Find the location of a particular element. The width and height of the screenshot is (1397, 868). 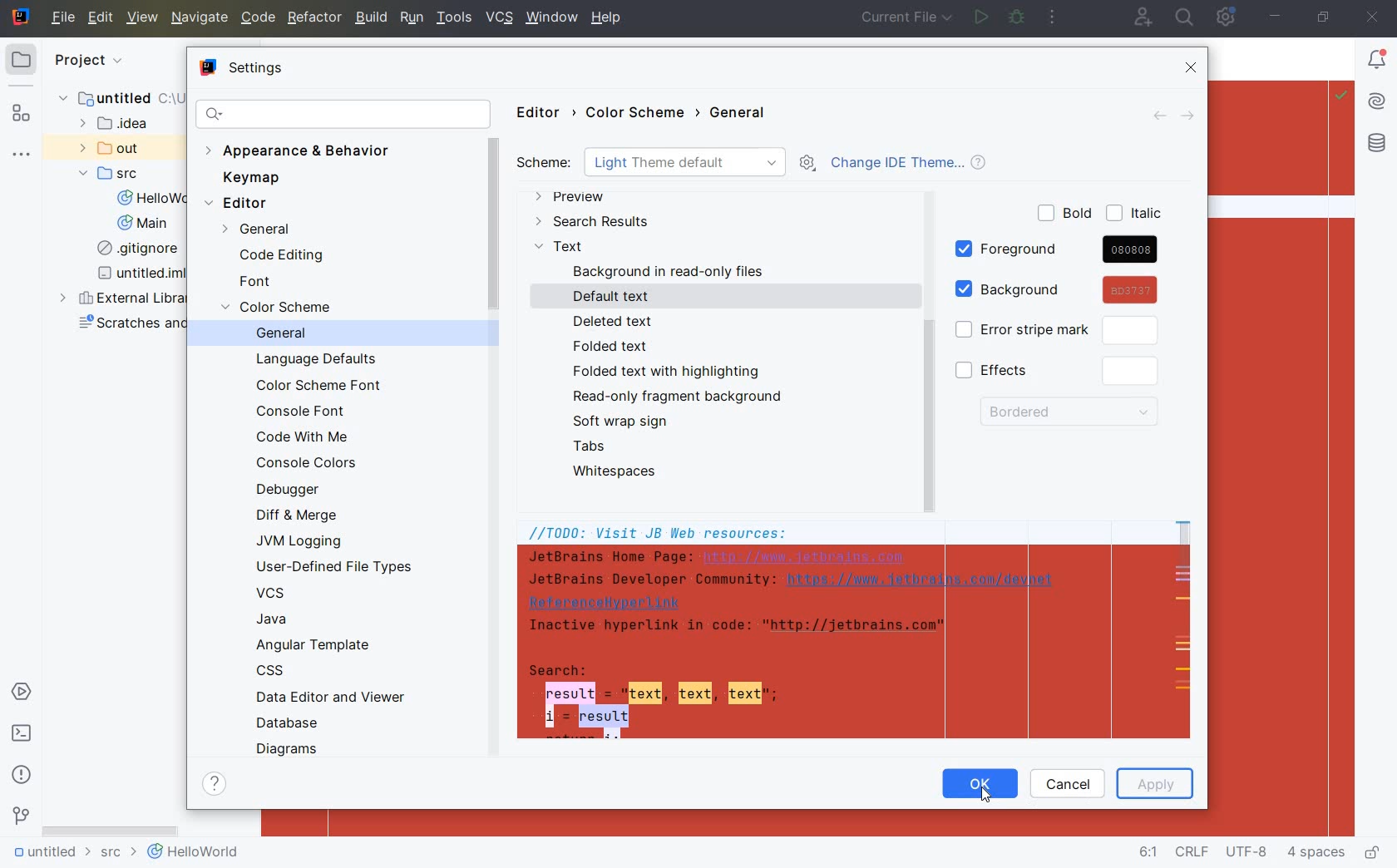

FONT is located at coordinates (260, 283).